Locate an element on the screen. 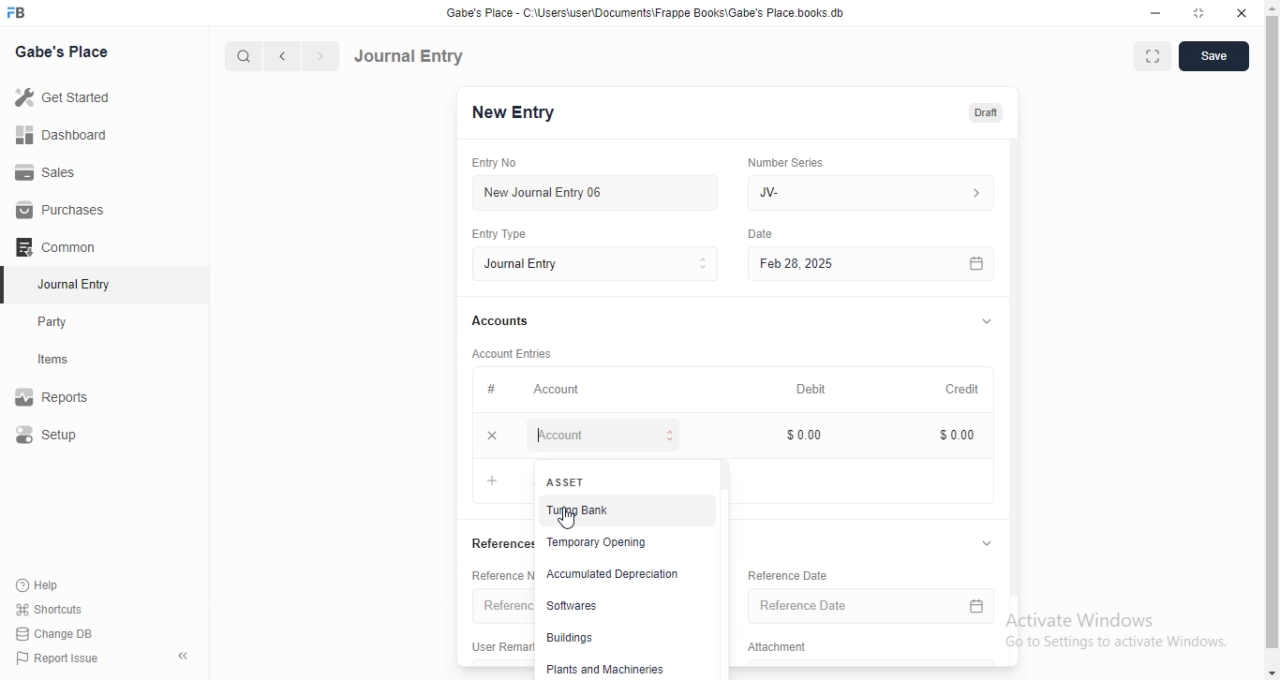 This screenshot has height=680, width=1280. References is located at coordinates (502, 544).